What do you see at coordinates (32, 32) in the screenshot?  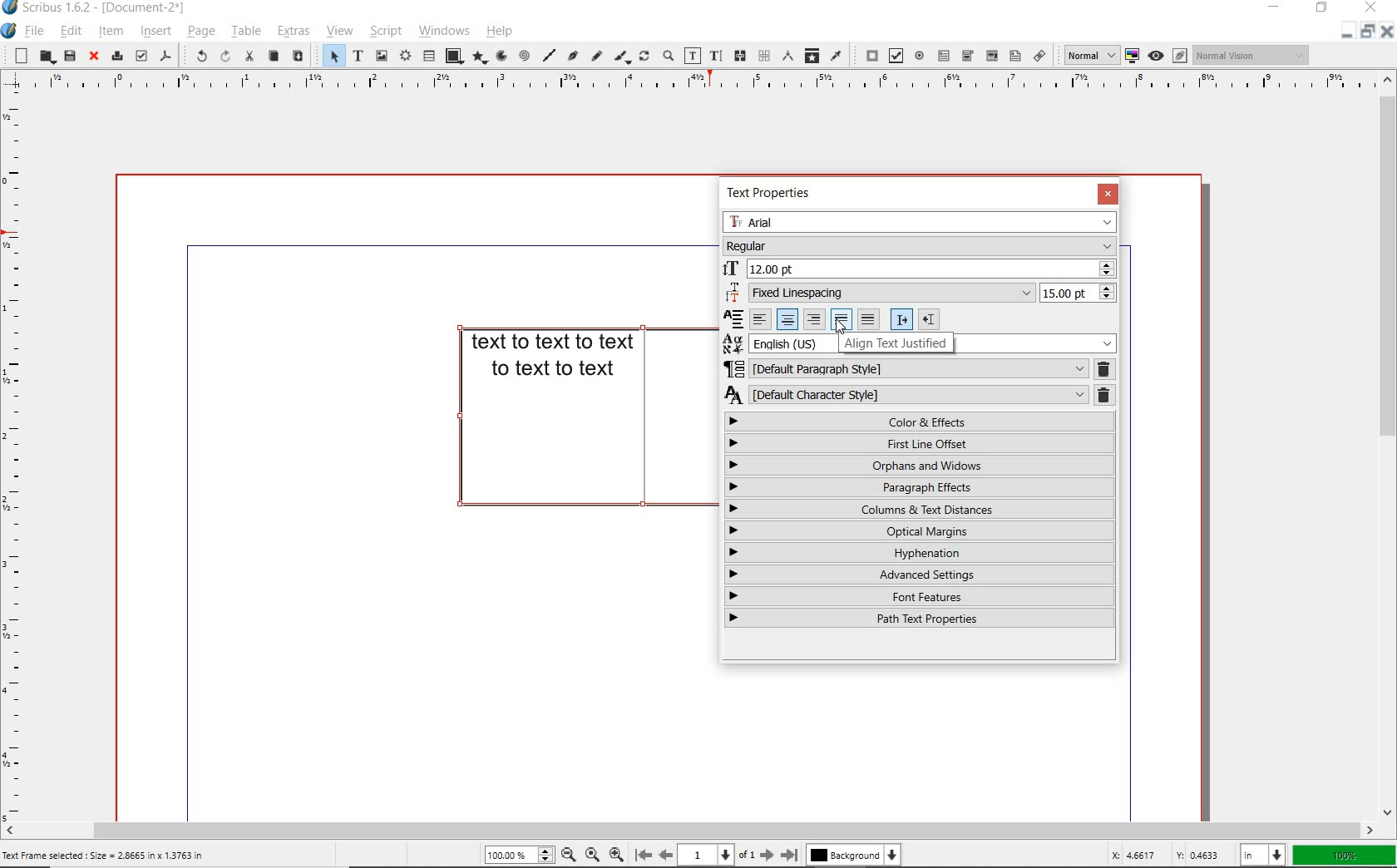 I see `file` at bounding box center [32, 32].